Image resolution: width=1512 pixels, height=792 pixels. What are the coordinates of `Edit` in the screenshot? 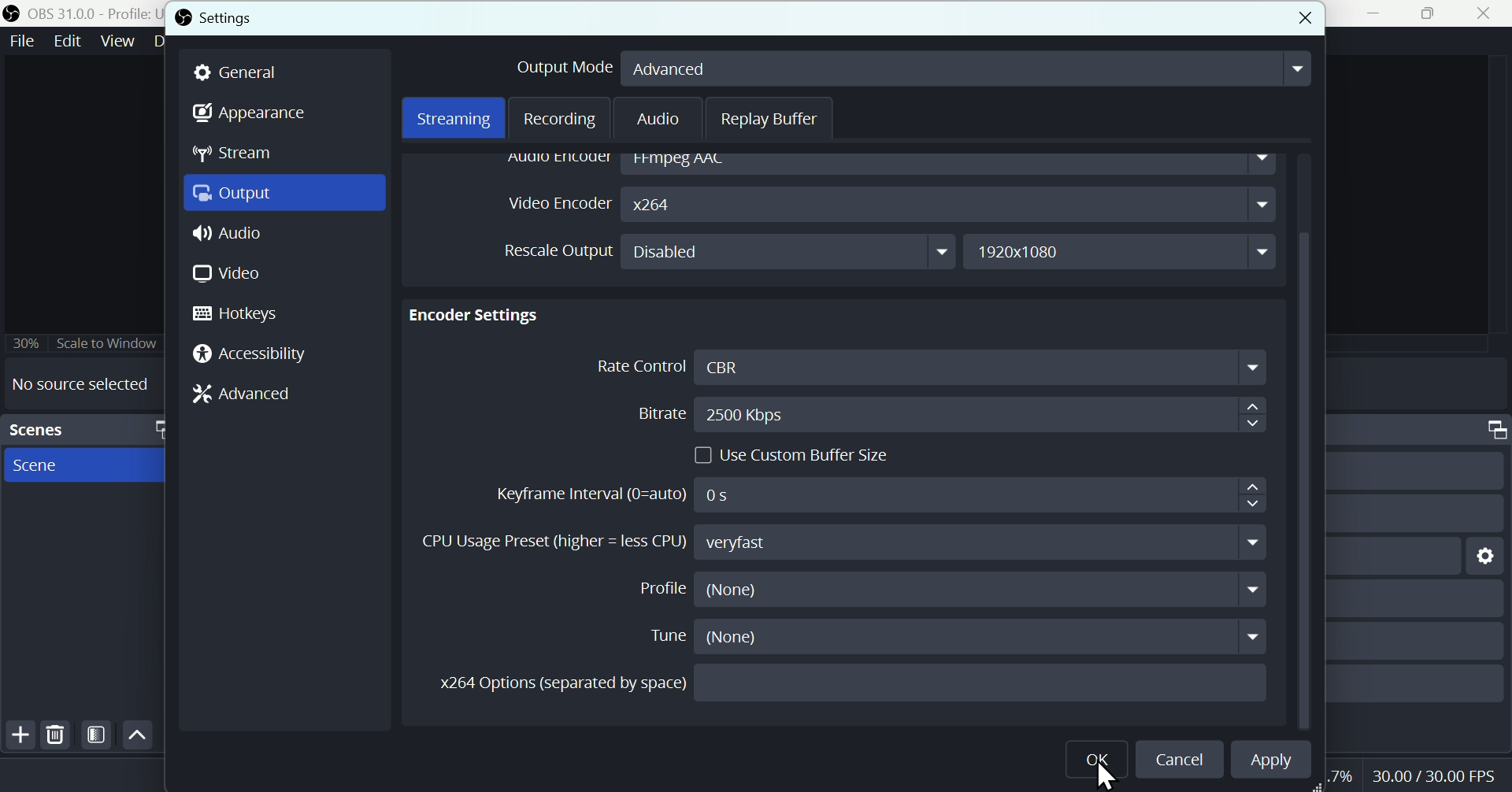 It's located at (69, 40).